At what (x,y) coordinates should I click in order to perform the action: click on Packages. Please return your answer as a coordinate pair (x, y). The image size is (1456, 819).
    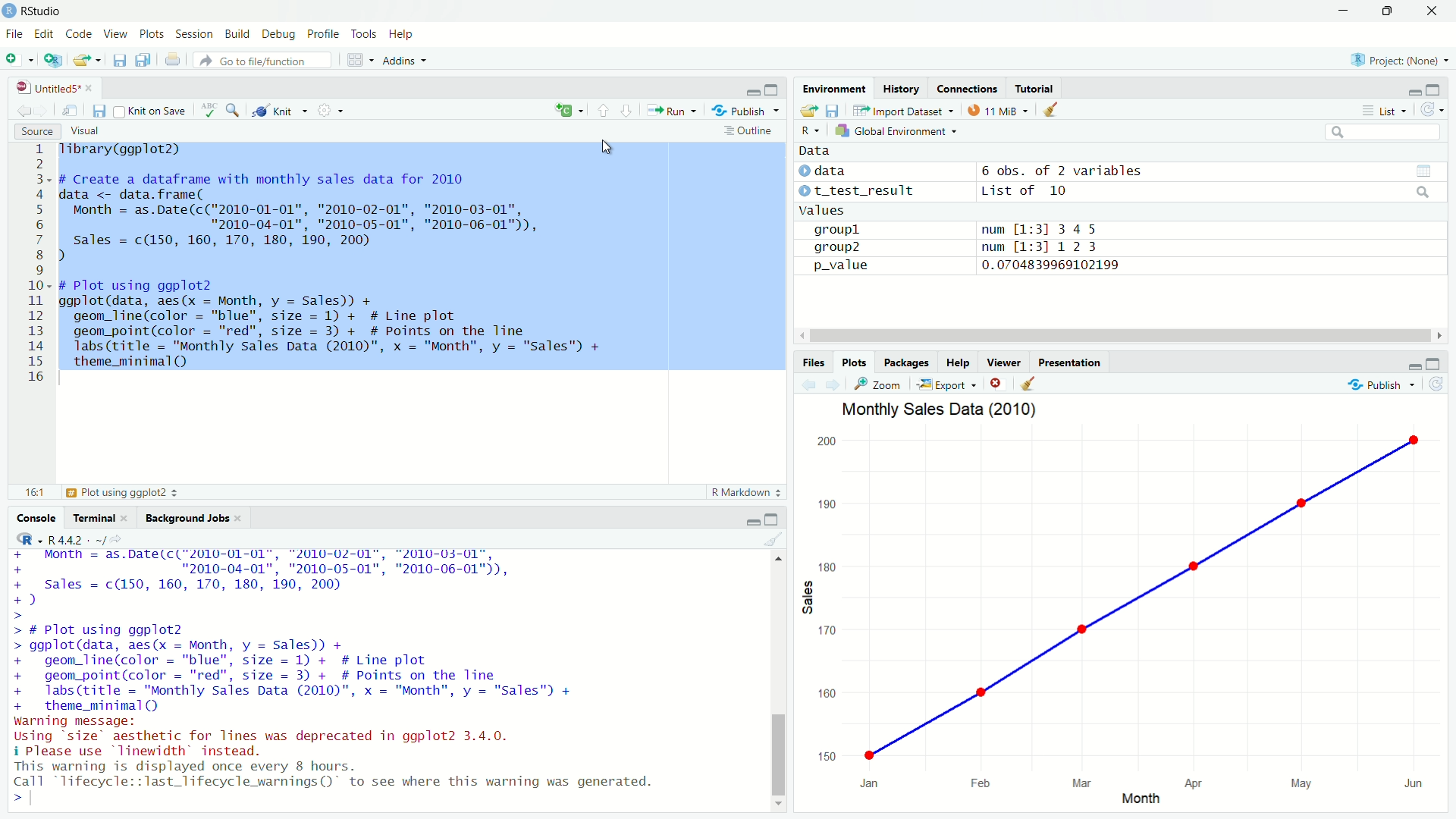
    Looking at the image, I should click on (908, 361).